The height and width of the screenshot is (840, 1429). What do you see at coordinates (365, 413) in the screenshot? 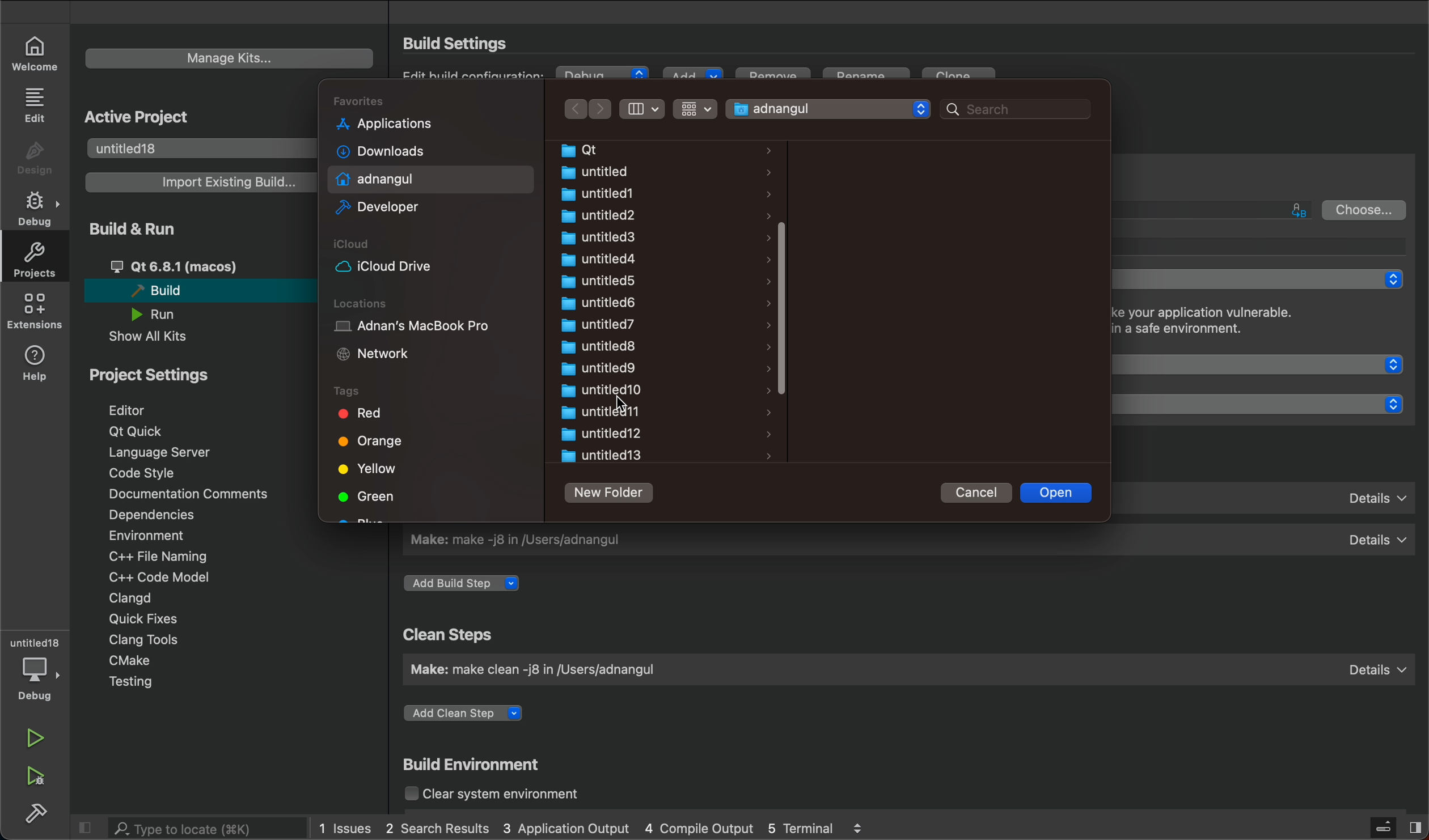
I see `Red` at bounding box center [365, 413].